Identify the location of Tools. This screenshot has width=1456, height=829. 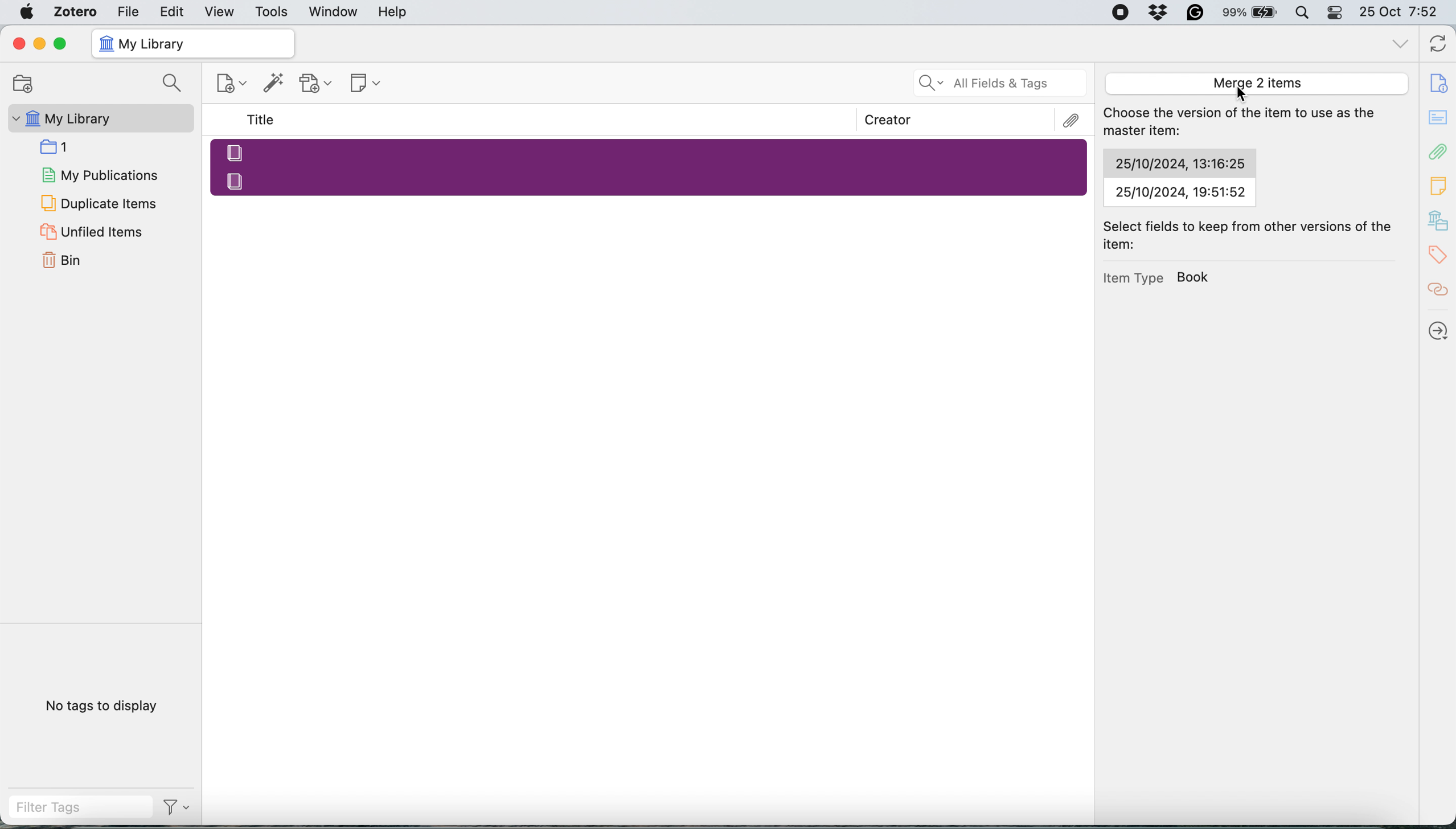
(272, 13).